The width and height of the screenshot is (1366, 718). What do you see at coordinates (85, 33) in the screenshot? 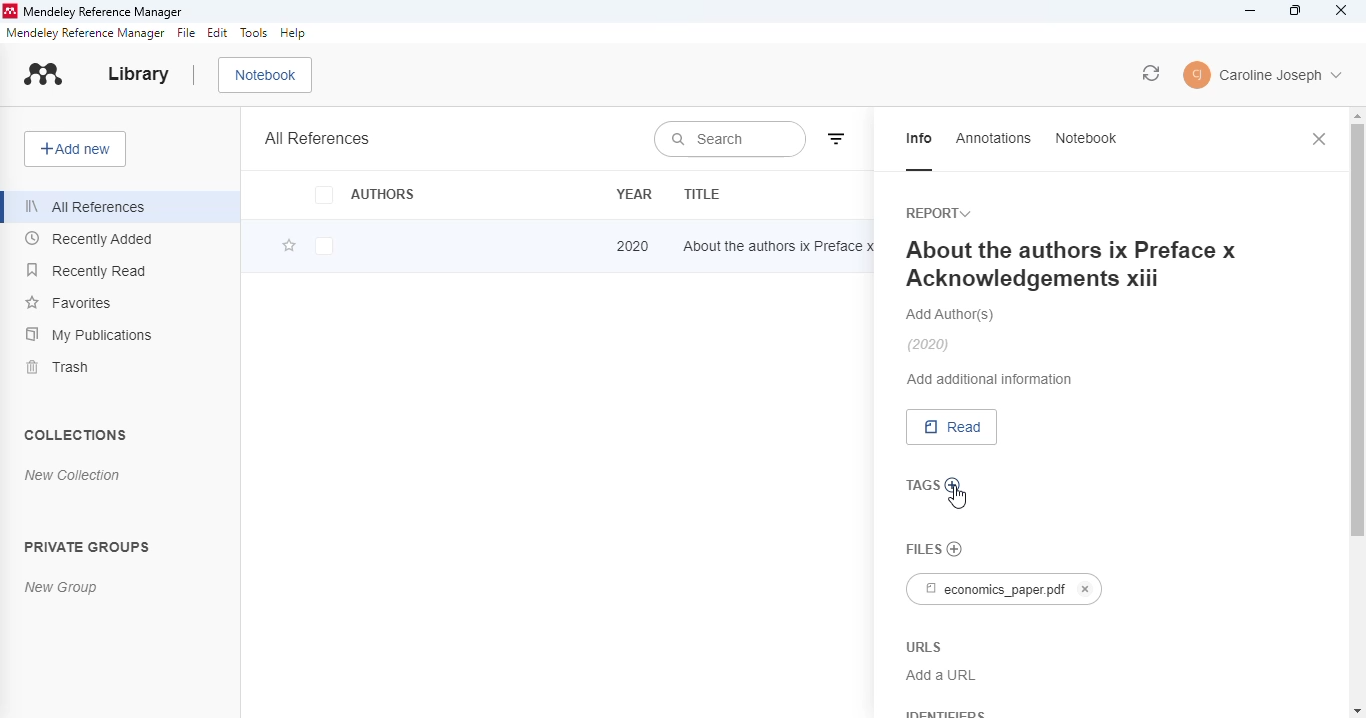
I see `mendeley reference manager` at bounding box center [85, 33].